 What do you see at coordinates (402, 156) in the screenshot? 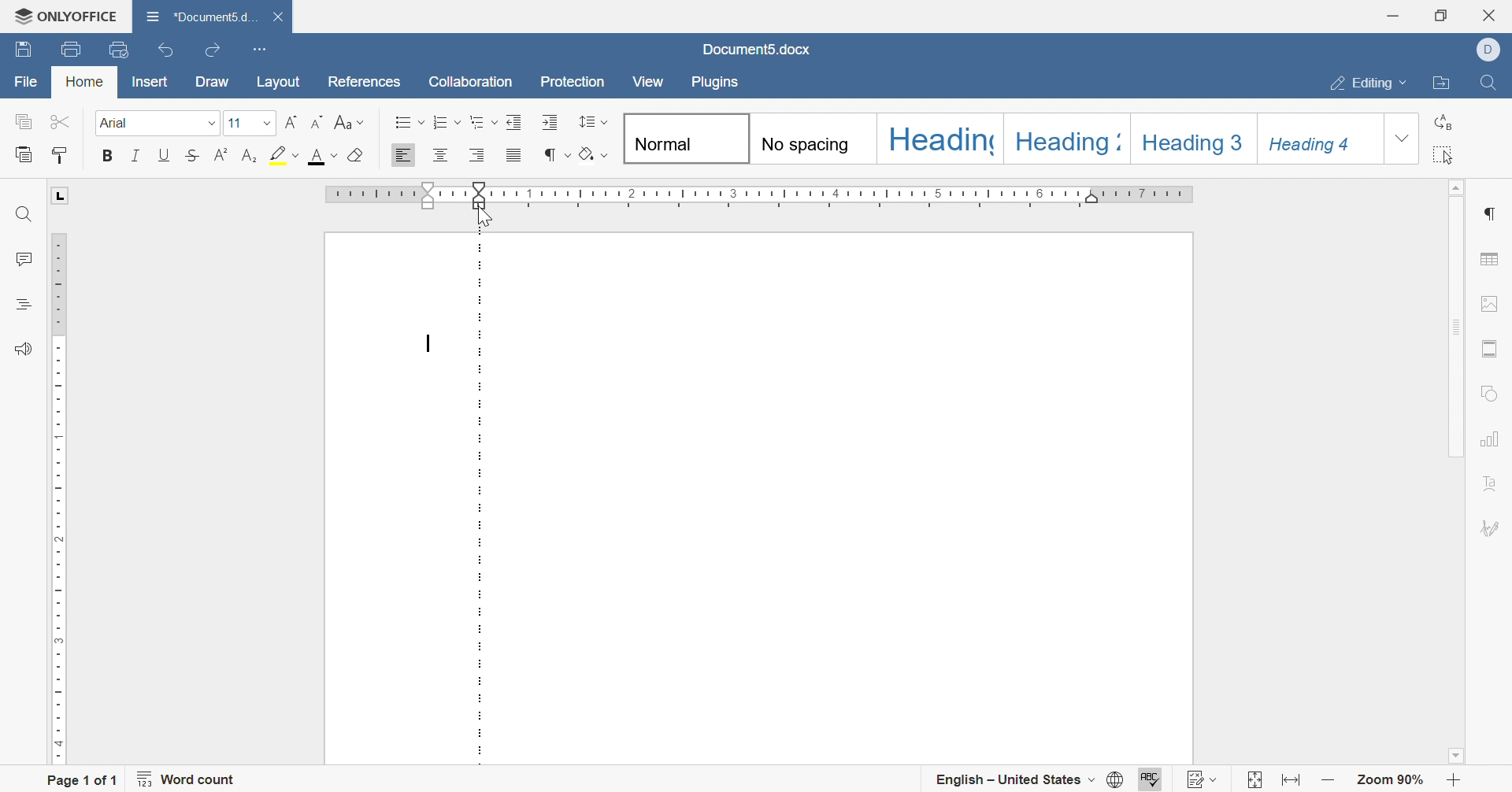
I see `Align Left` at bounding box center [402, 156].